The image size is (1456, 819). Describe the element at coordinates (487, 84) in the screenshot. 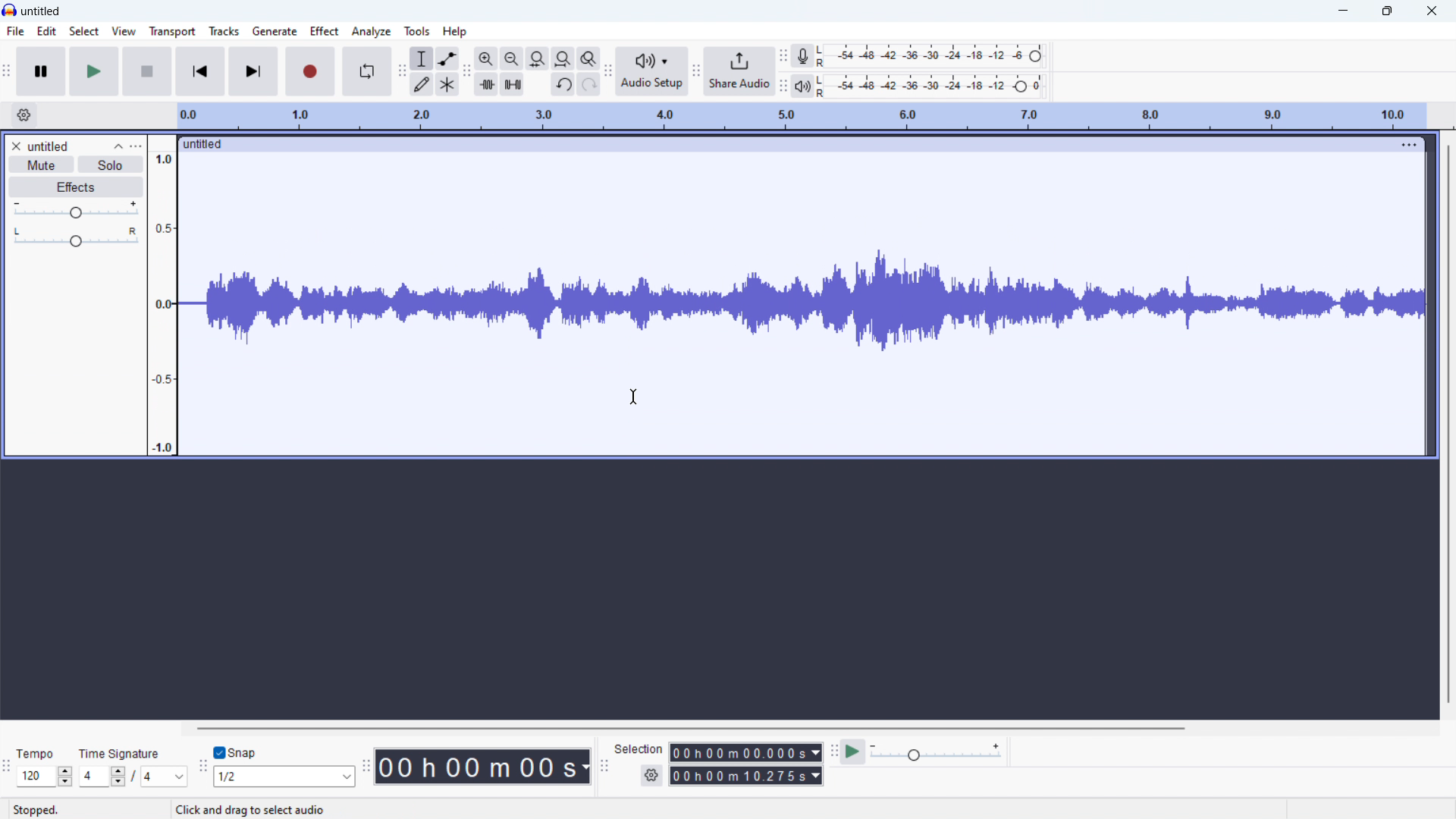

I see `trim audio oitside selection` at that location.